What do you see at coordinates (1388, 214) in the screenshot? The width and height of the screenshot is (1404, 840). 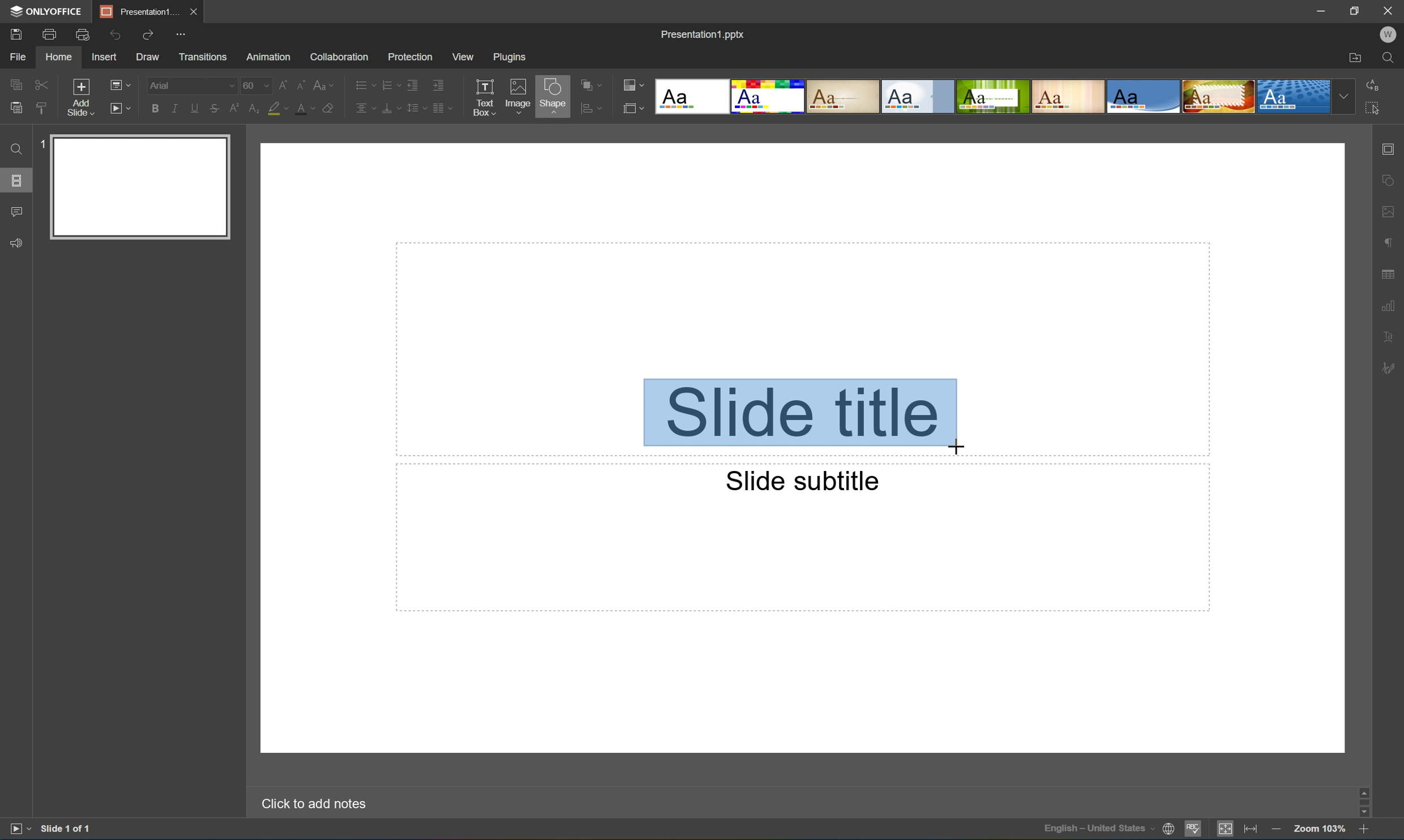 I see `image settings` at bounding box center [1388, 214].